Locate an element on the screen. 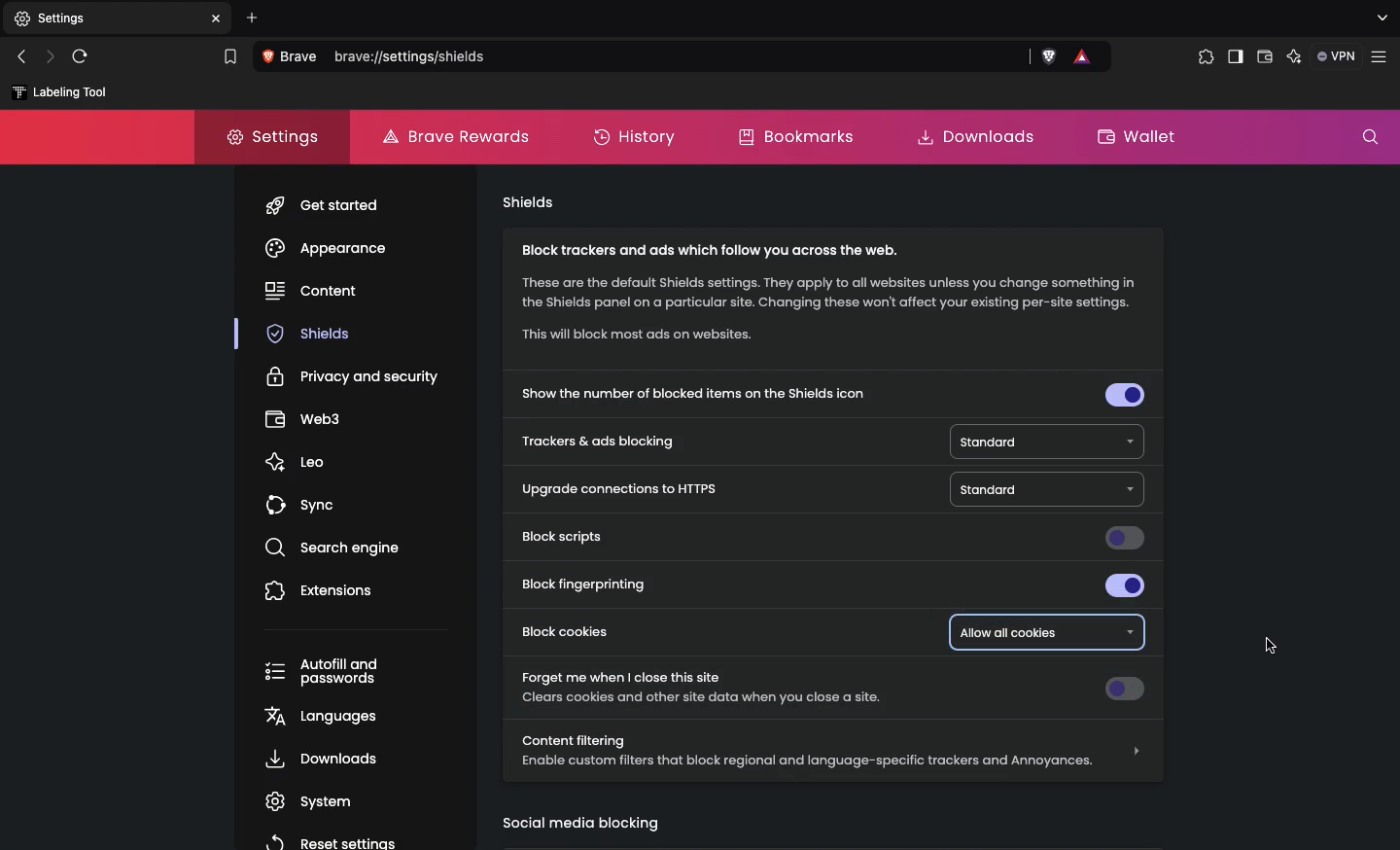 This screenshot has height=850, width=1400. webs3 is located at coordinates (306, 422).